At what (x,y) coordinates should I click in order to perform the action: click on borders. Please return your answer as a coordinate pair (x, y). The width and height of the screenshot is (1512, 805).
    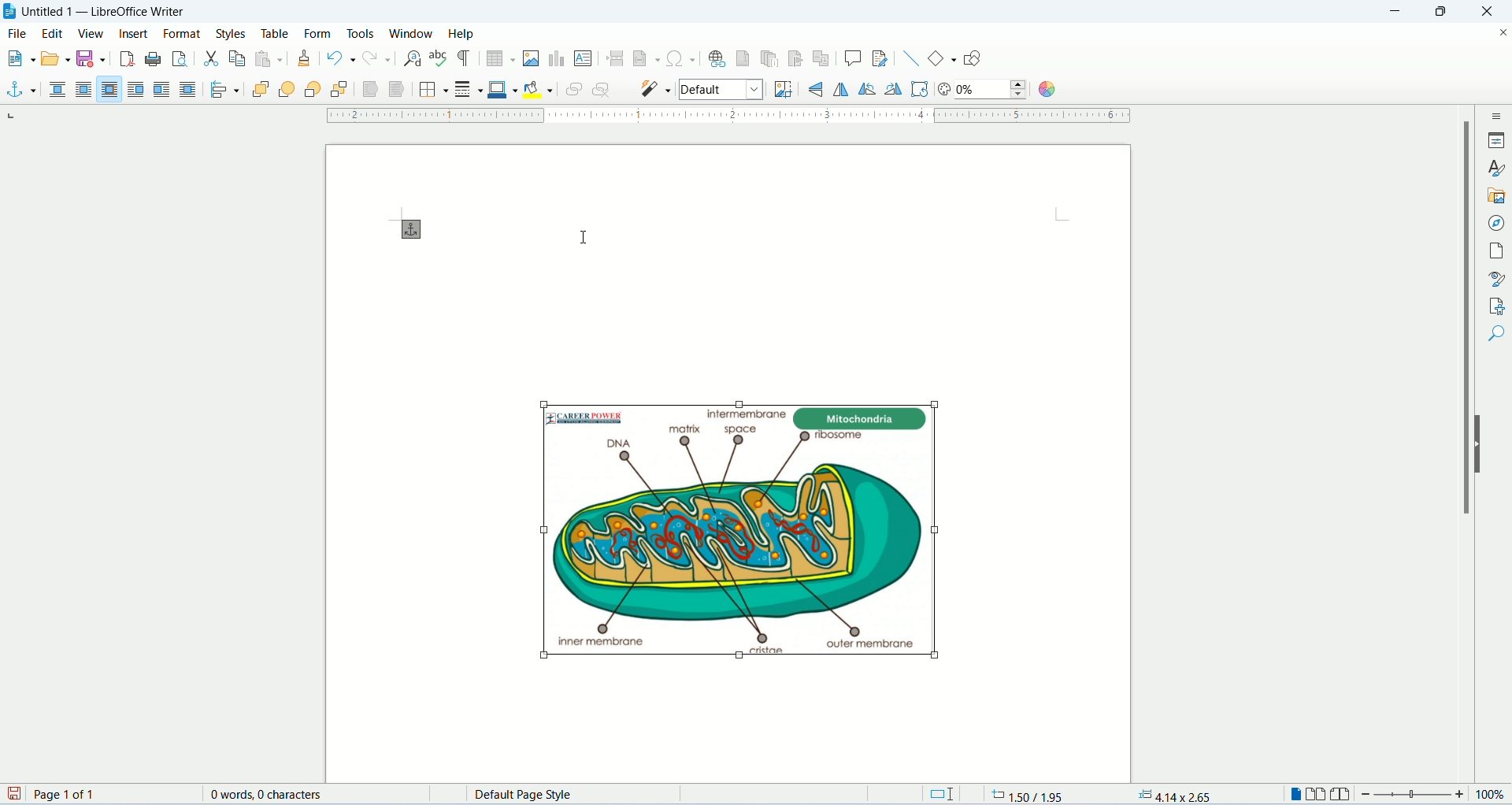
    Looking at the image, I should click on (433, 89).